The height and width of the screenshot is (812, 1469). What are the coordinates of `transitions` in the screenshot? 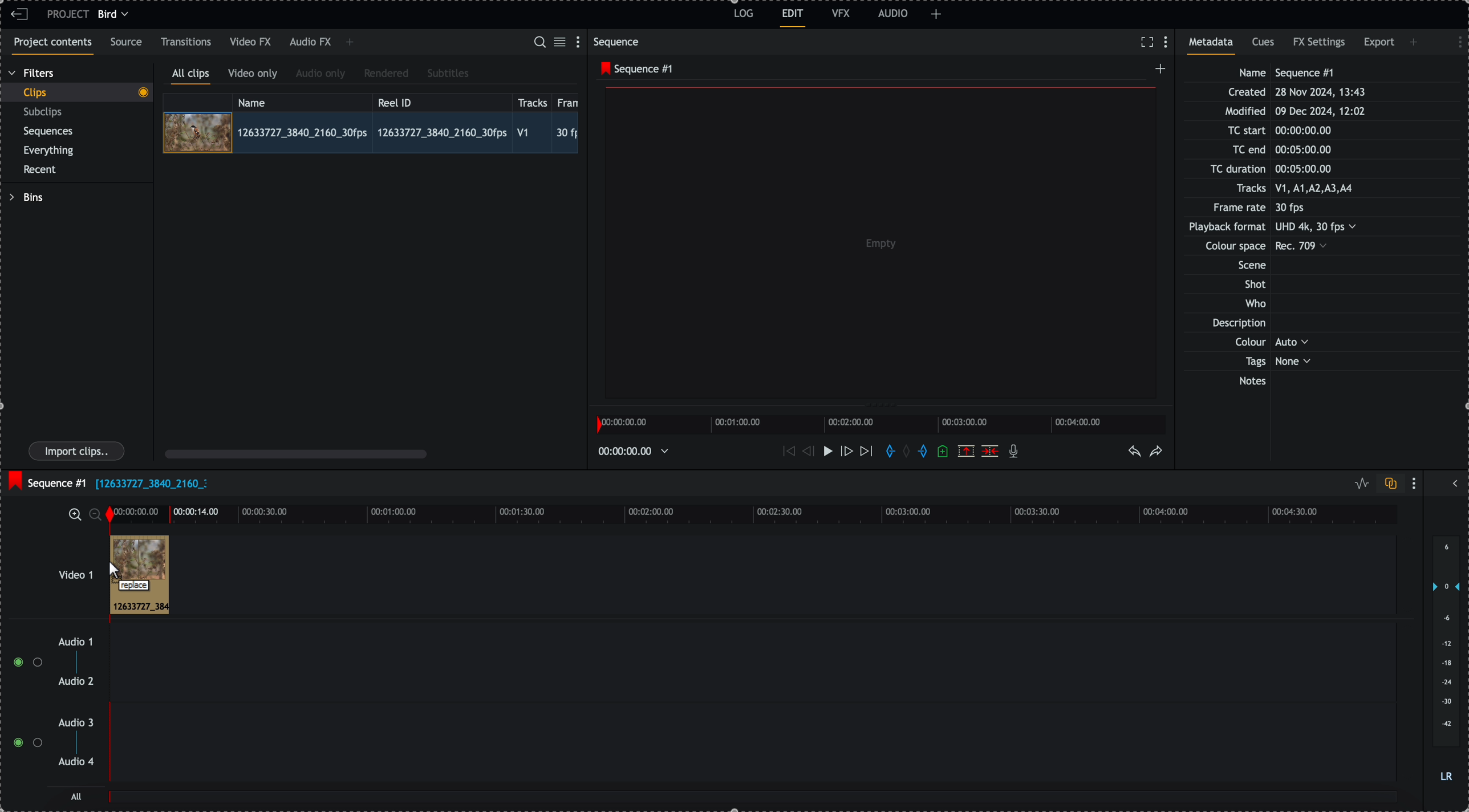 It's located at (186, 42).